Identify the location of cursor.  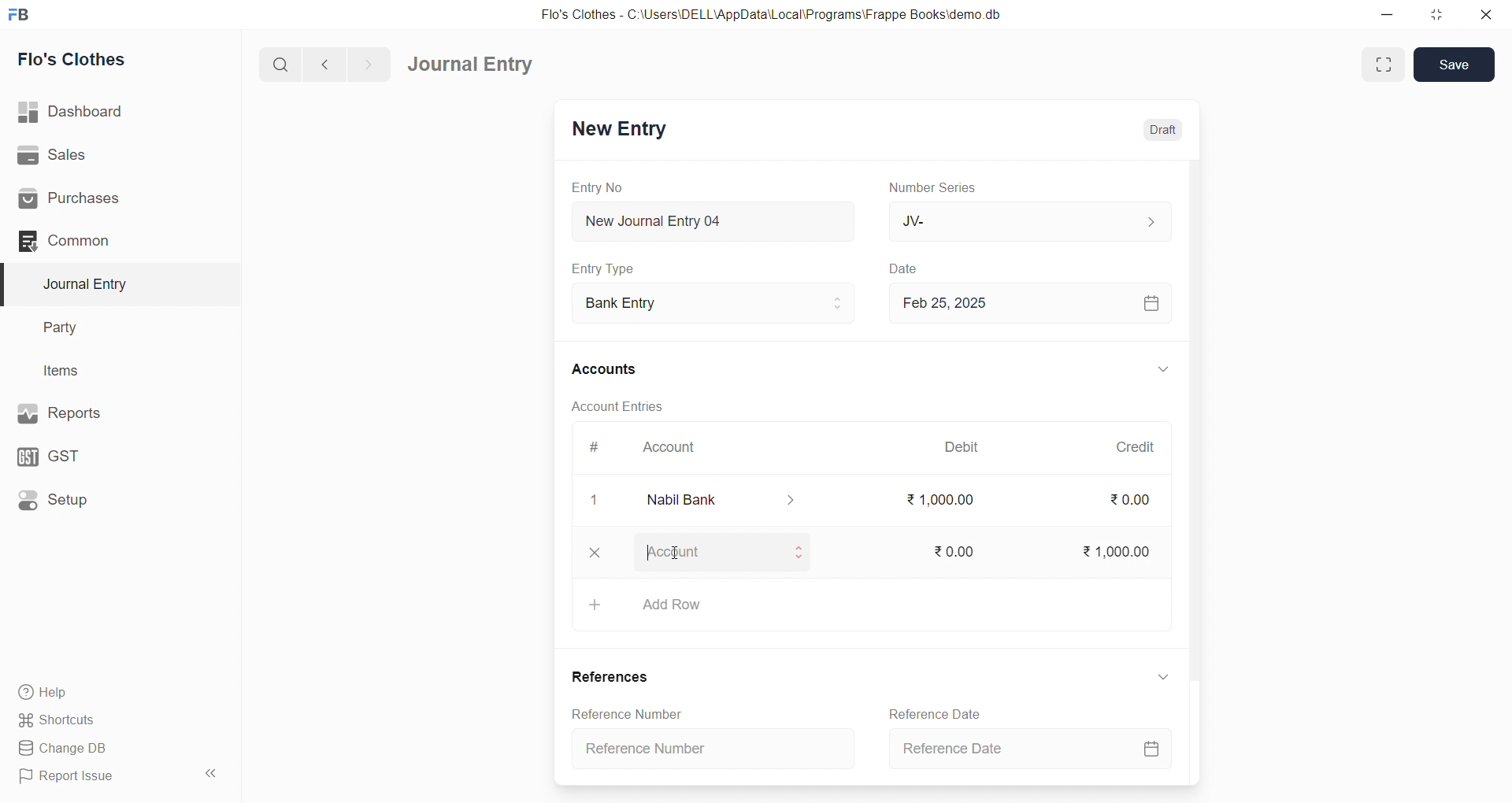
(675, 561).